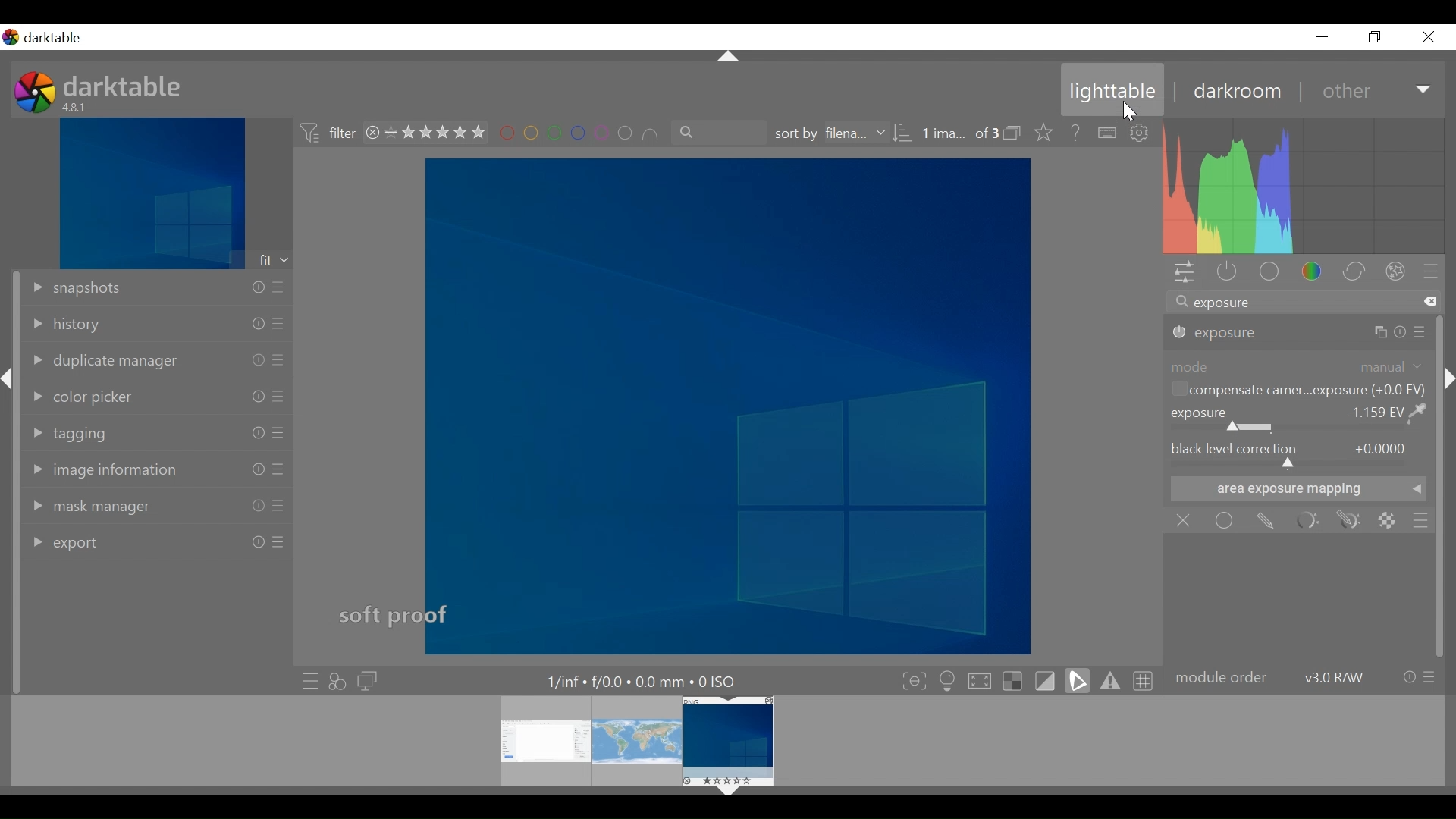 The width and height of the screenshot is (1456, 819). I want to click on color, so click(1313, 271).